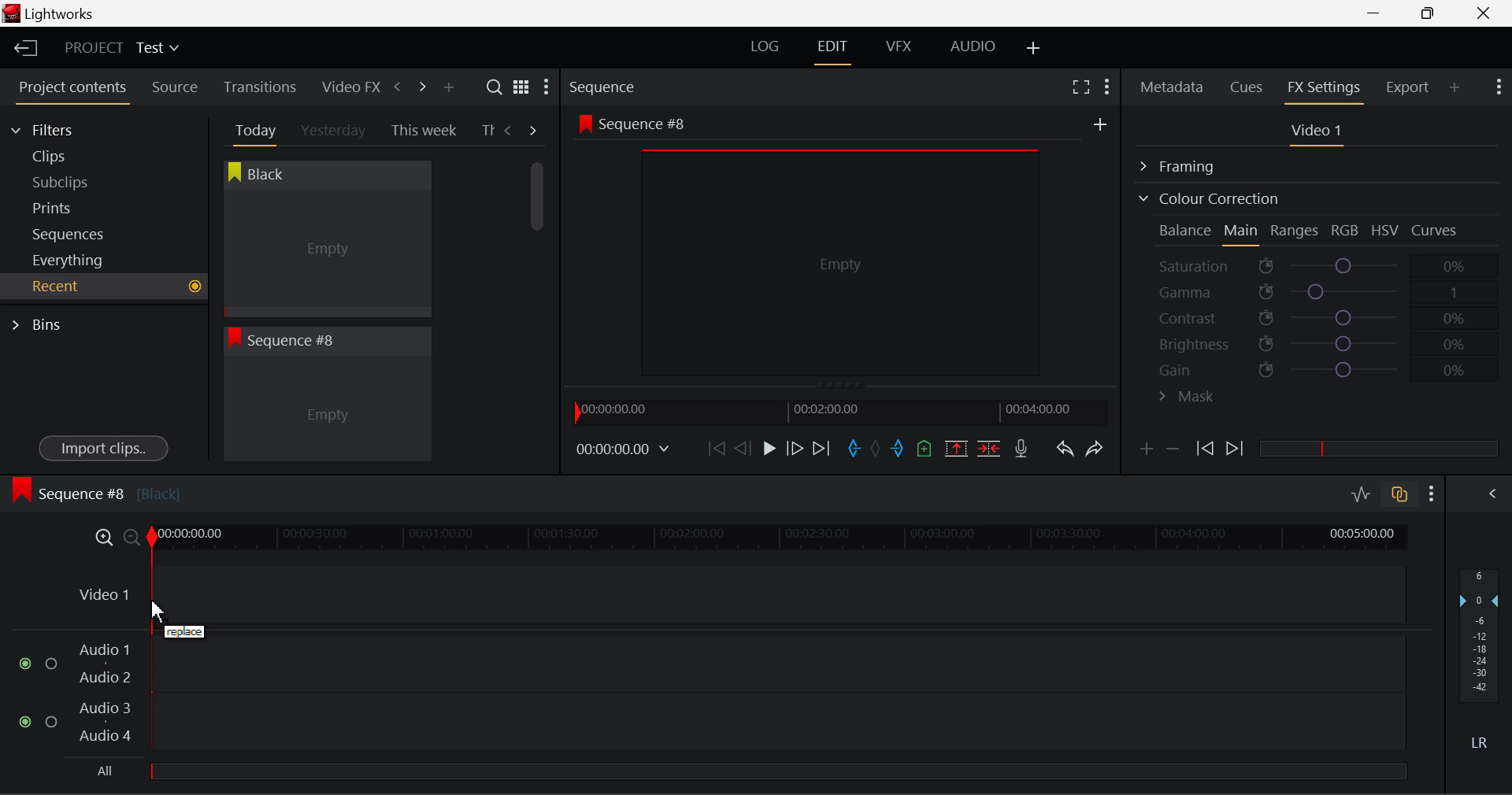 This screenshot has width=1512, height=795. What do you see at coordinates (42, 323) in the screenshot?
I see `Bins` at bounding box center [42, 323].